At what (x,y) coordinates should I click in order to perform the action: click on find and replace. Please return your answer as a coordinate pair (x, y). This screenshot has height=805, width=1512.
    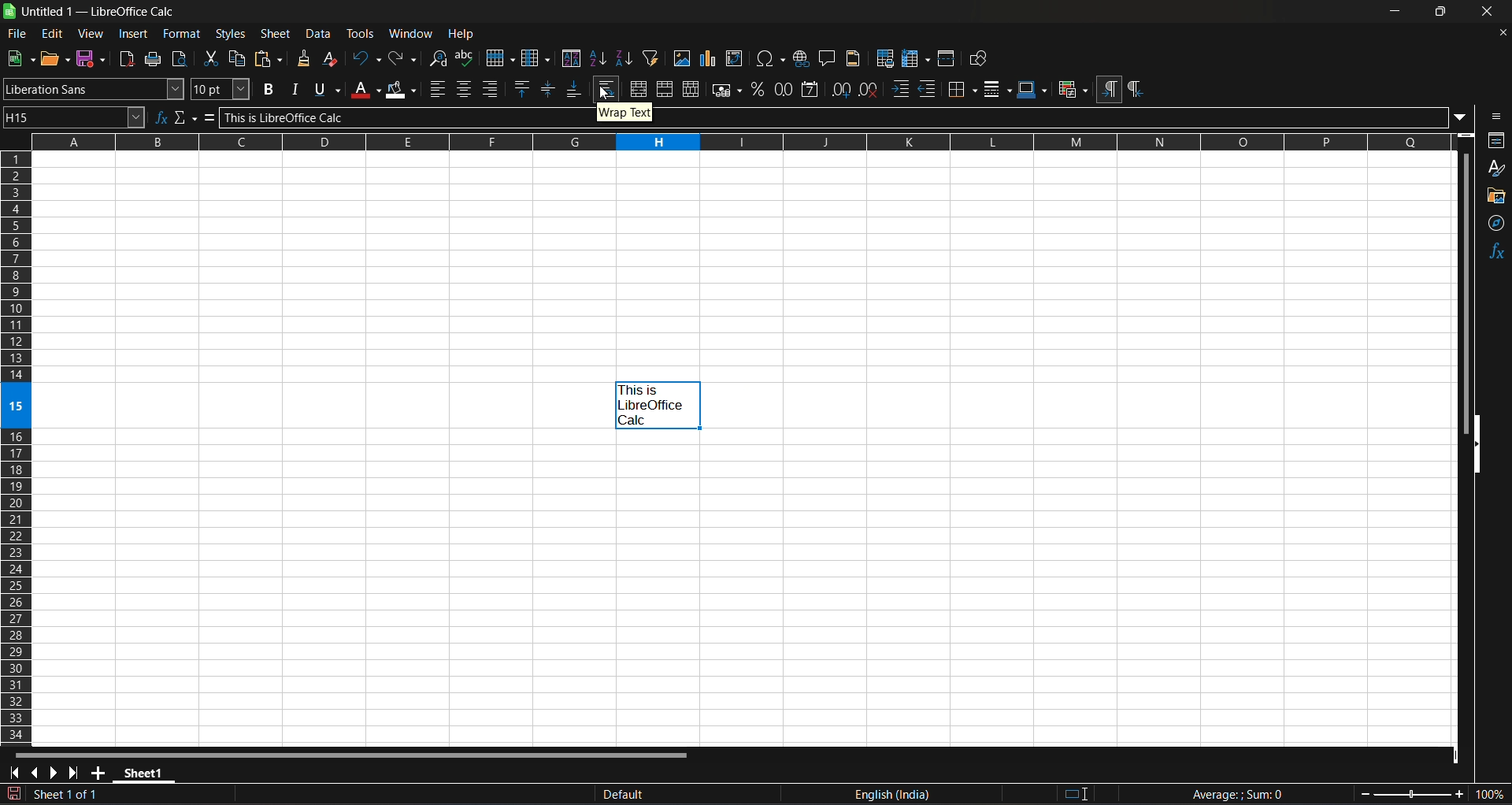
    Looking at the image, I should click on (439, 59).